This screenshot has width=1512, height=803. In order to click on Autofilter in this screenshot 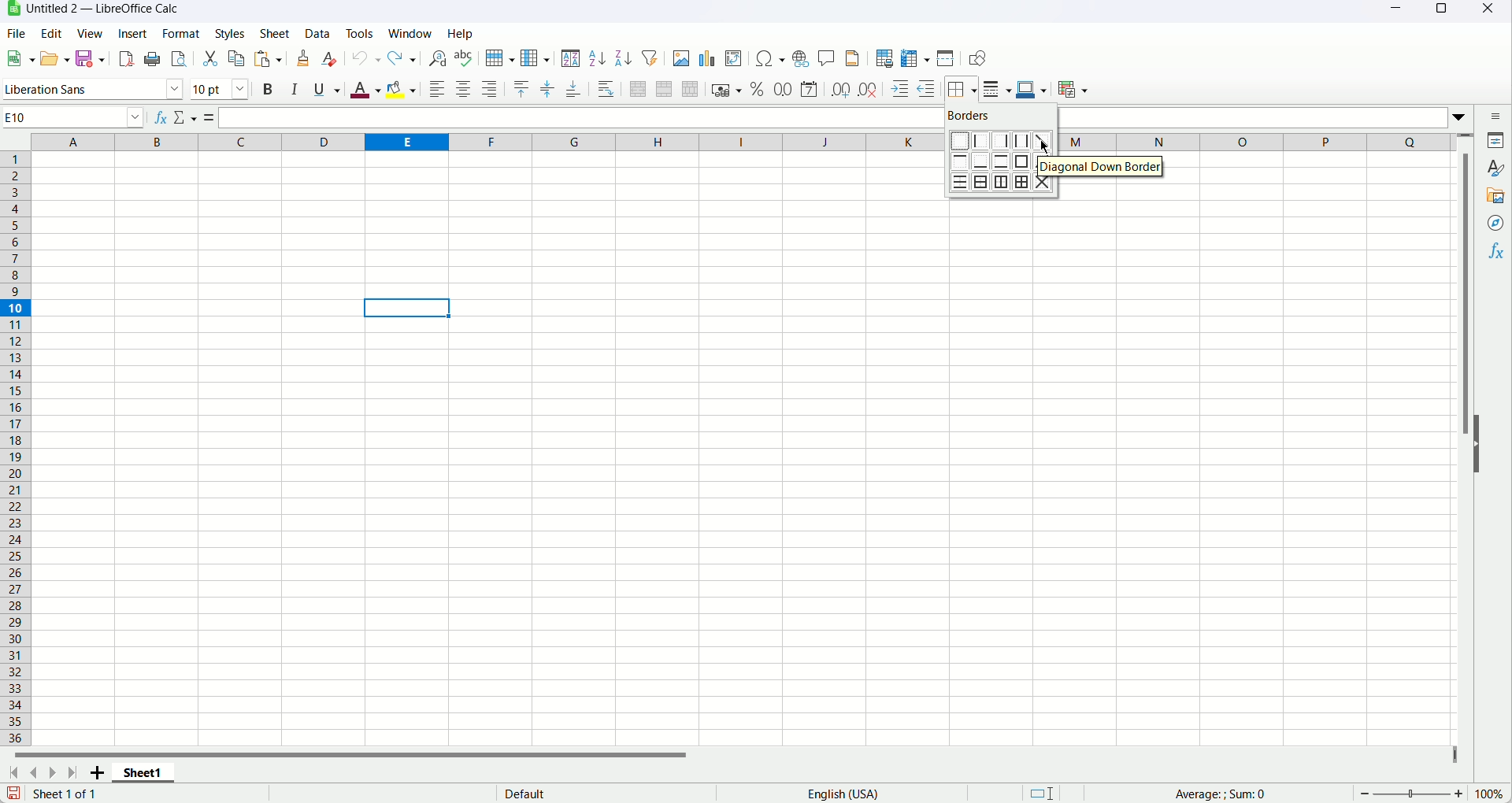, I will do `click(648, 57)`.